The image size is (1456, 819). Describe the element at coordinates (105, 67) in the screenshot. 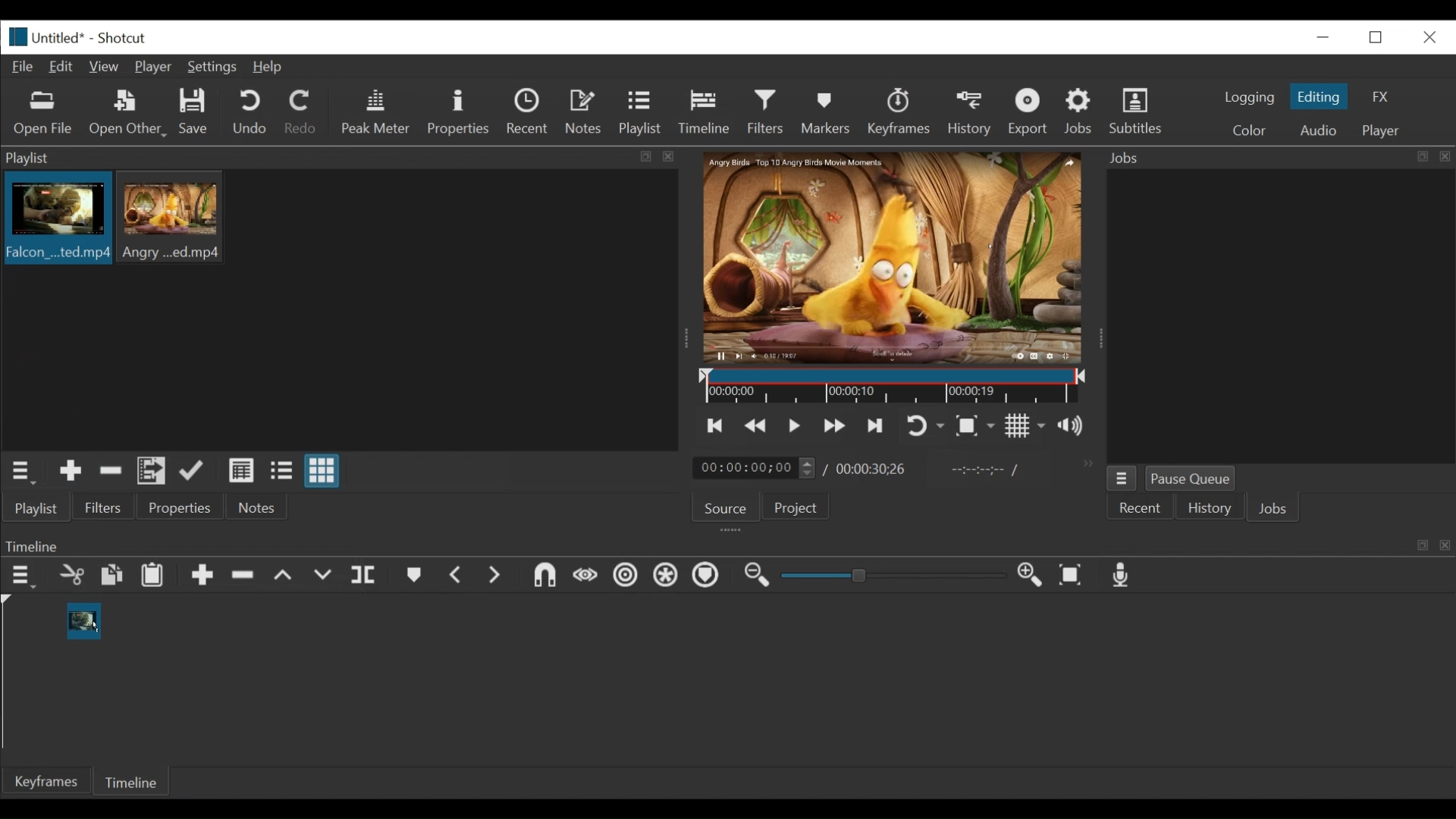

I see `View` at that location.